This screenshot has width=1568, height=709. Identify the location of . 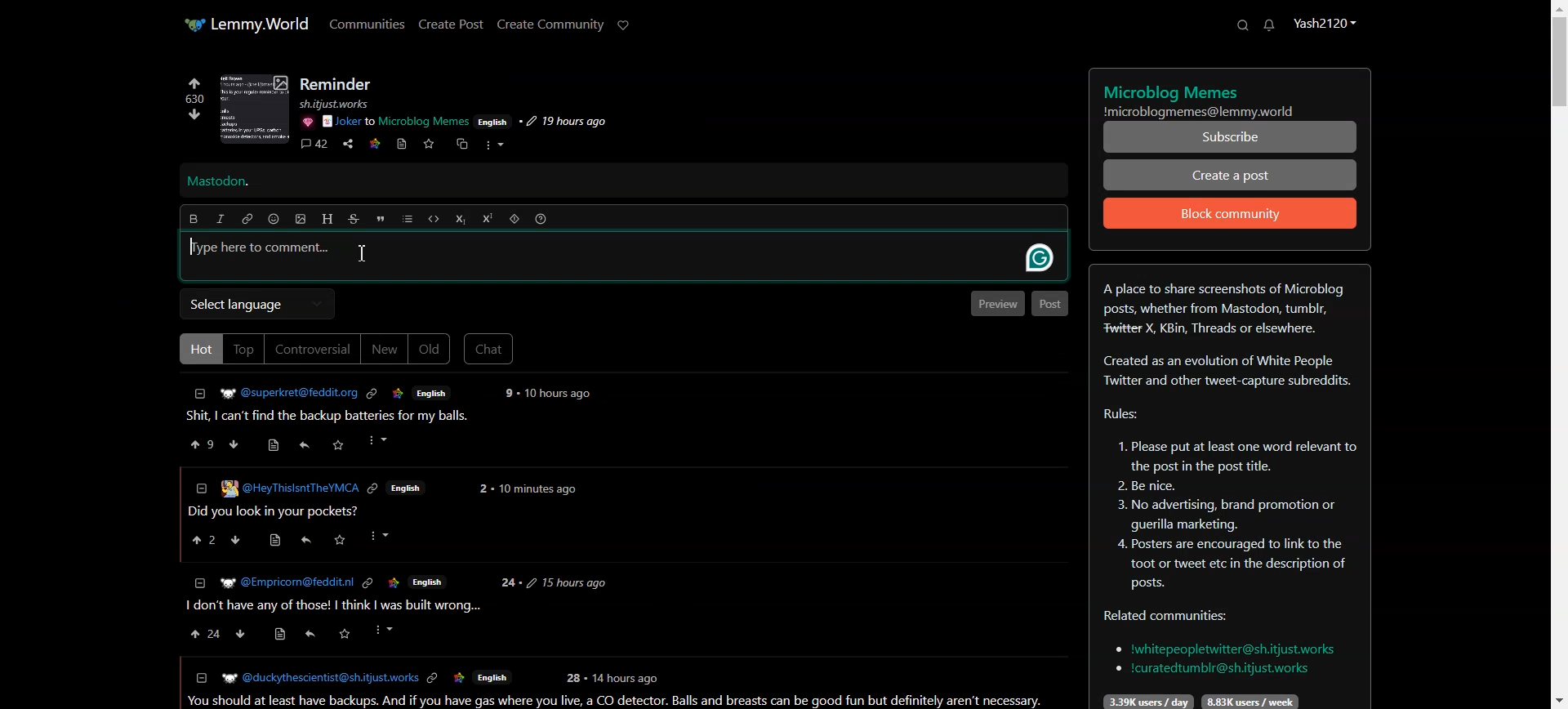
(393, 582).